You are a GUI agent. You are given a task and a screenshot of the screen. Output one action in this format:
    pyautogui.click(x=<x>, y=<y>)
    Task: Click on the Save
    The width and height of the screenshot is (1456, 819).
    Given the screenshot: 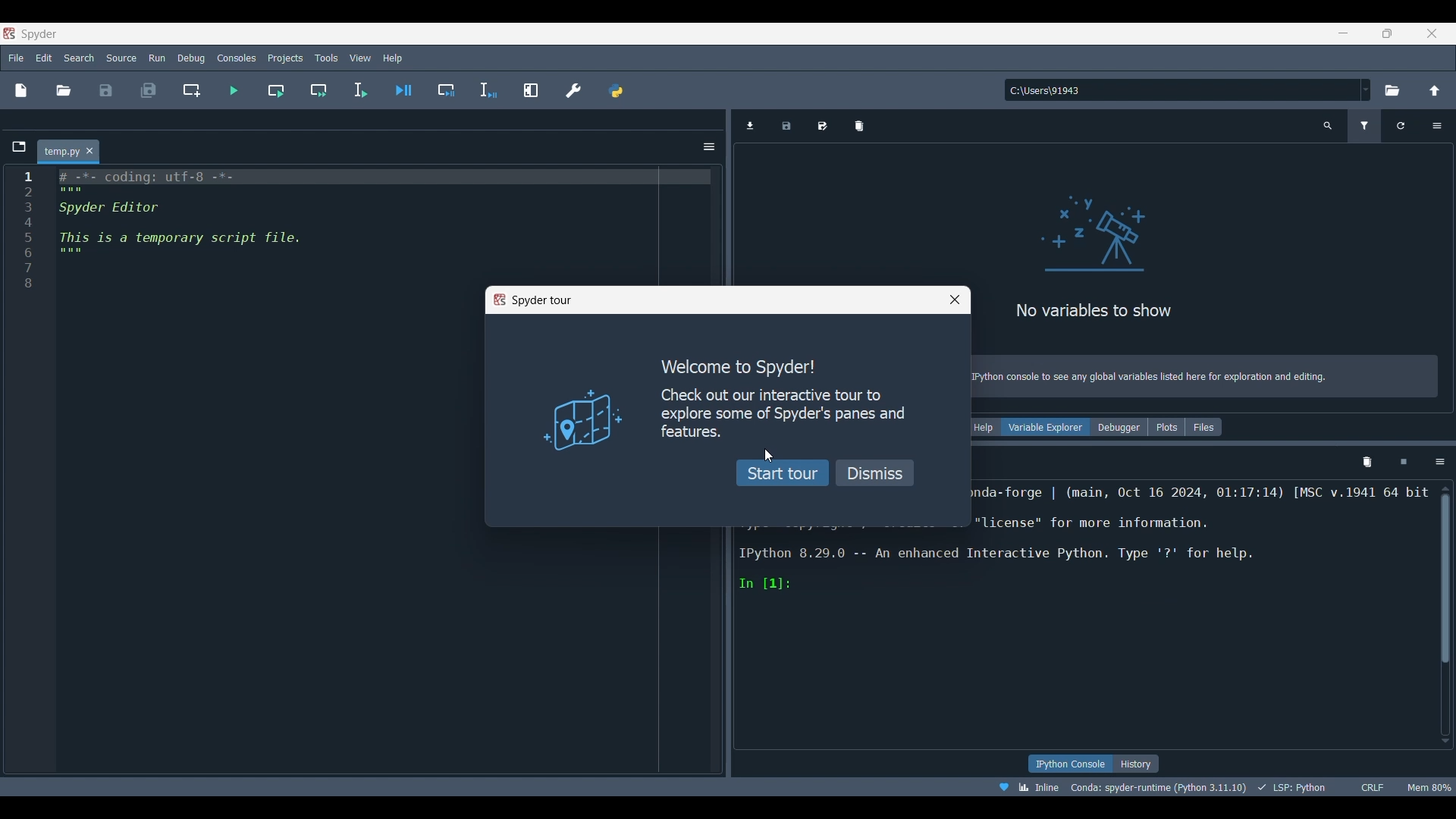 What is the action you would take?
    pyautogui.click(x=106, y=90)
    